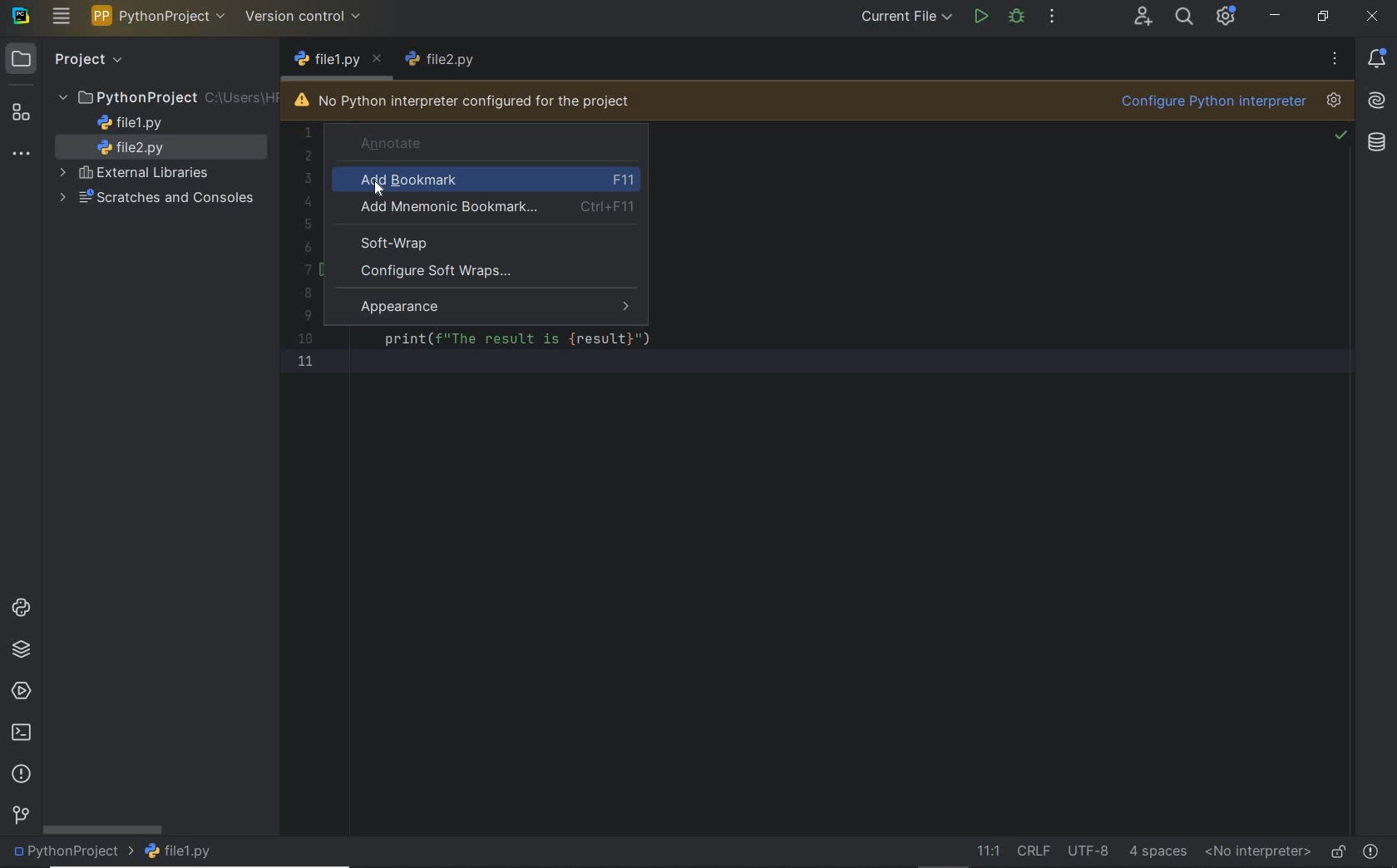  Describe the element at coordinates (1376, 145) in the screenshot. I see `Database` at that location.